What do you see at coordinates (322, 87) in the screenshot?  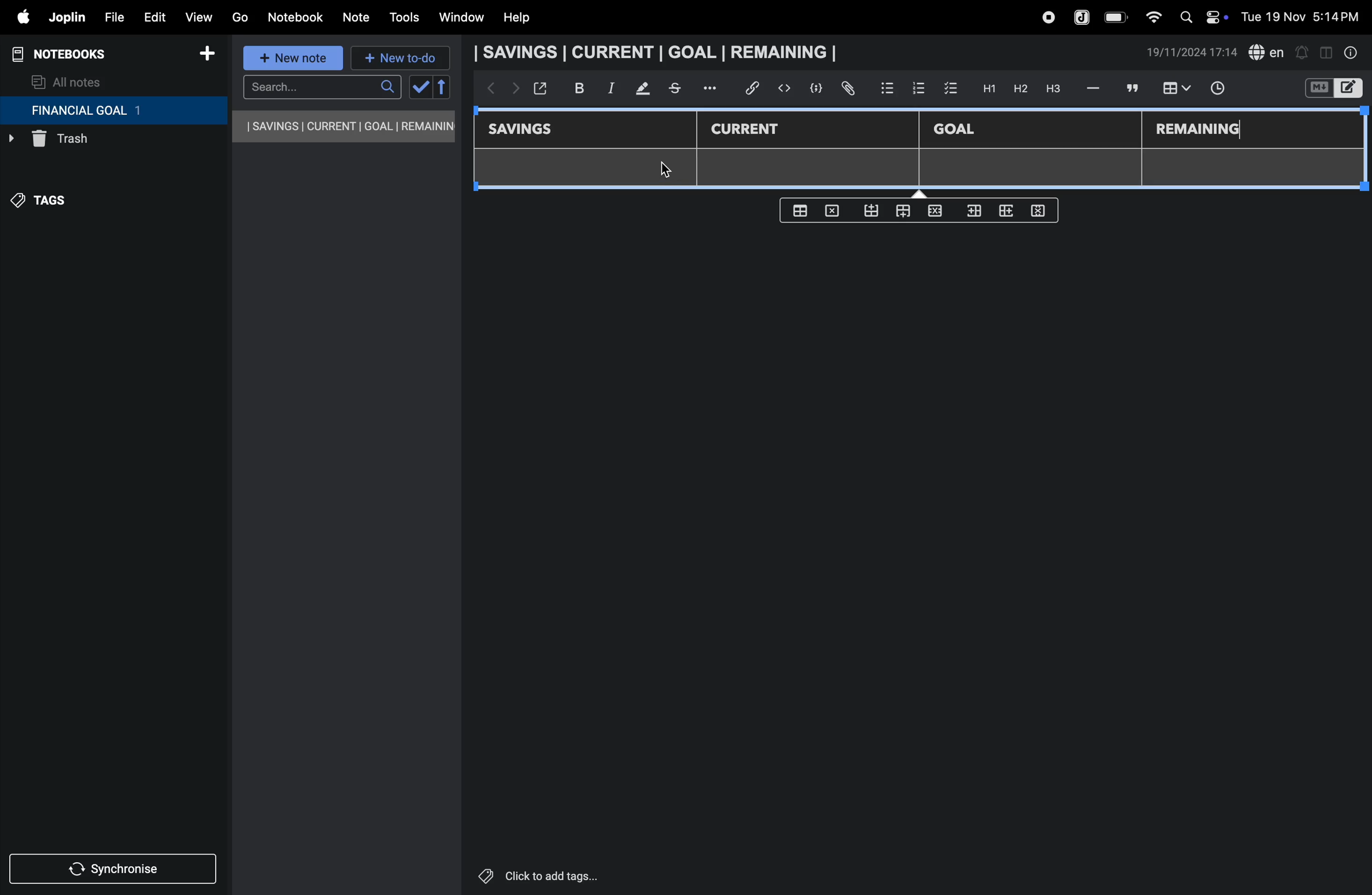 I see `search` at bounding box center [322, 87].